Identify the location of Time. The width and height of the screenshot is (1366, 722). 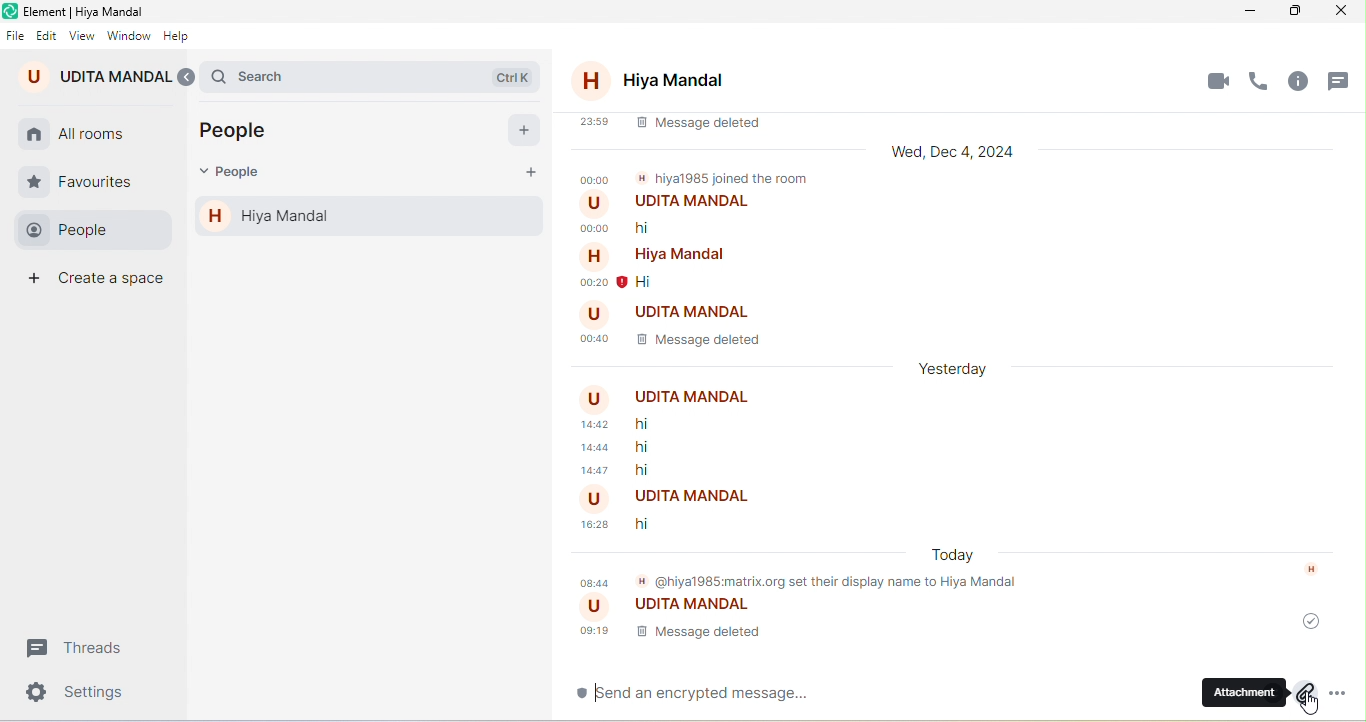
(596, 180).